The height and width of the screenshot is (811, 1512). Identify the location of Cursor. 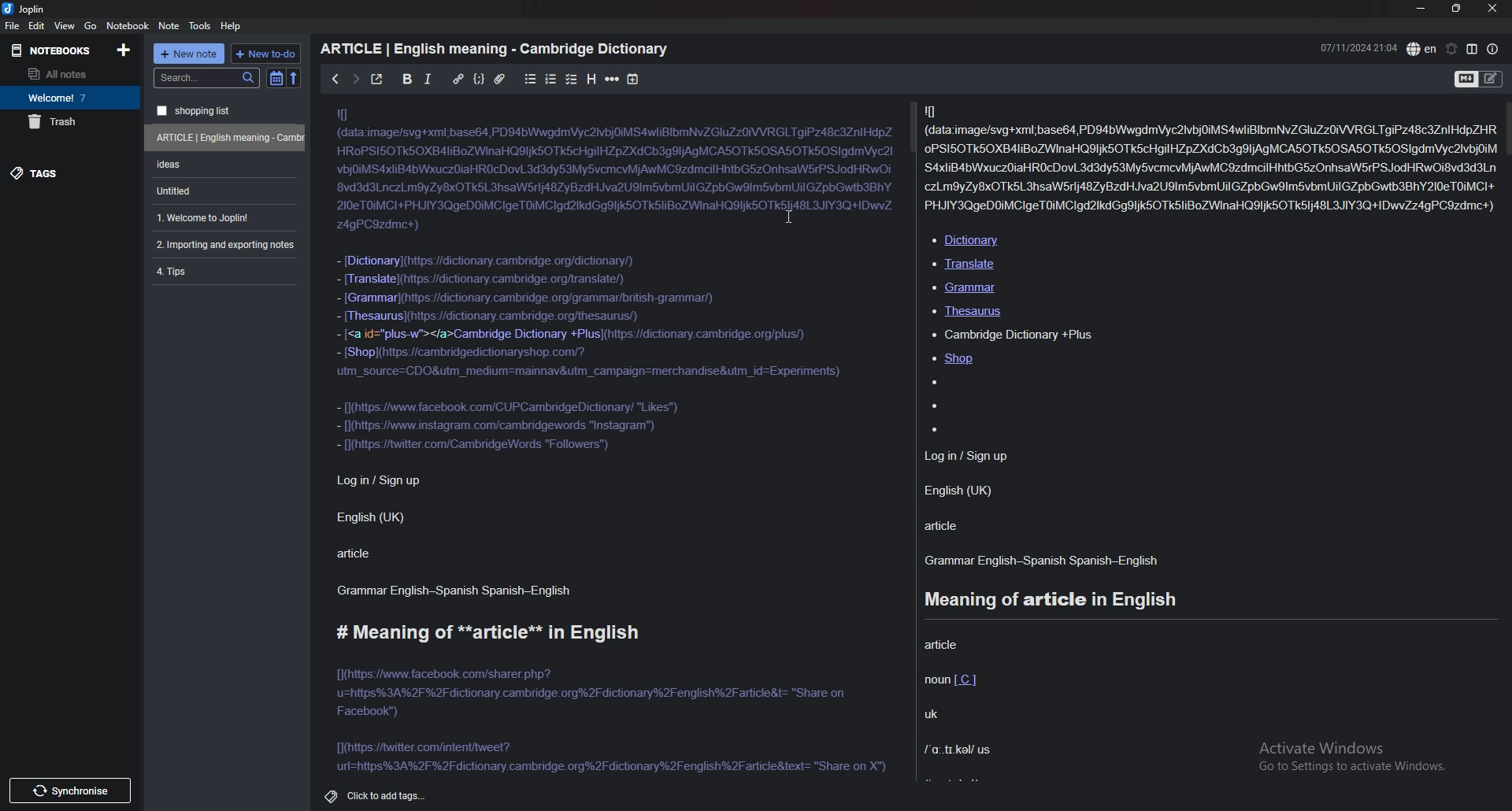
(790, 217).